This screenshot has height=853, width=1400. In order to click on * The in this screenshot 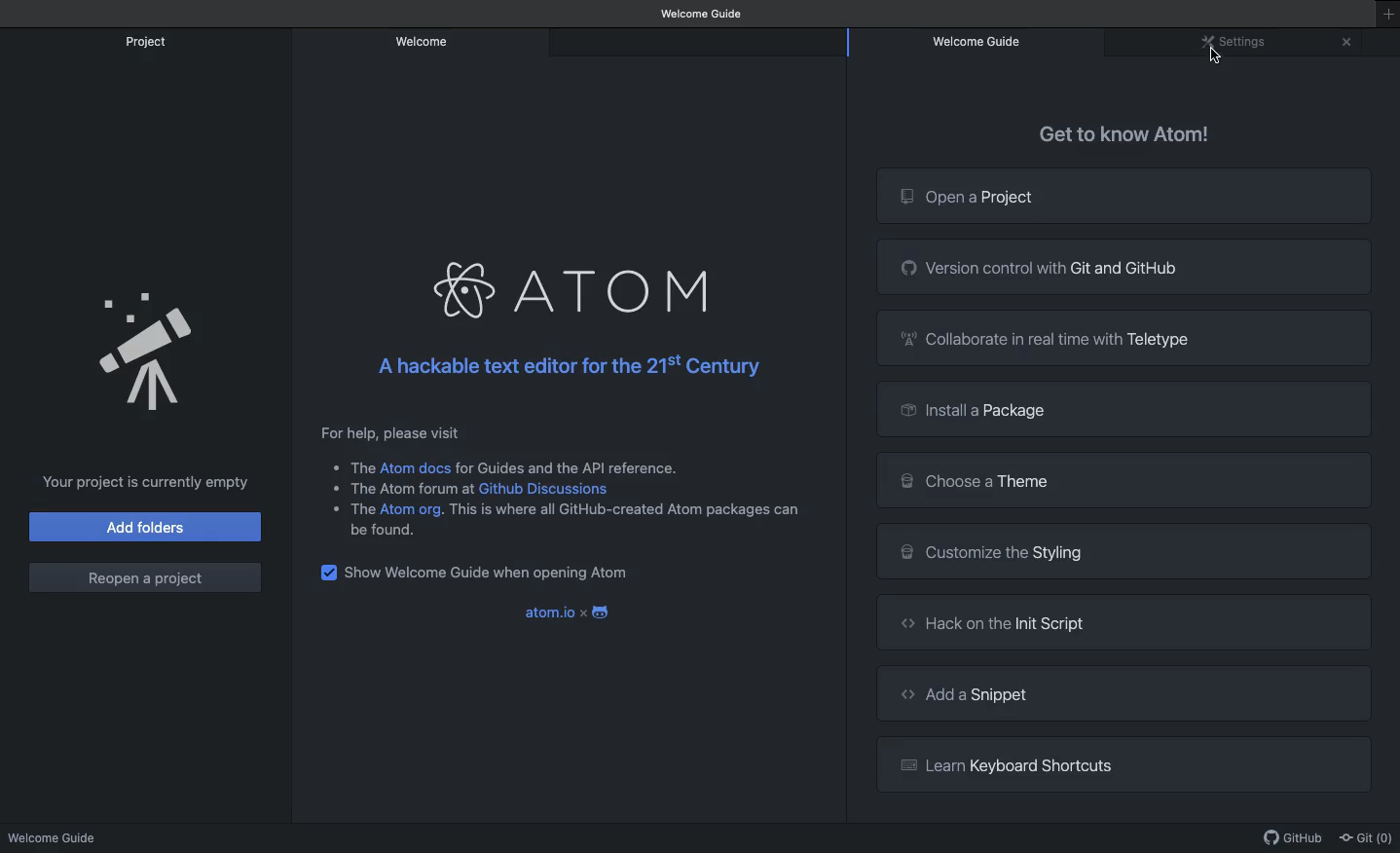, I will do `click(349, 507)`.